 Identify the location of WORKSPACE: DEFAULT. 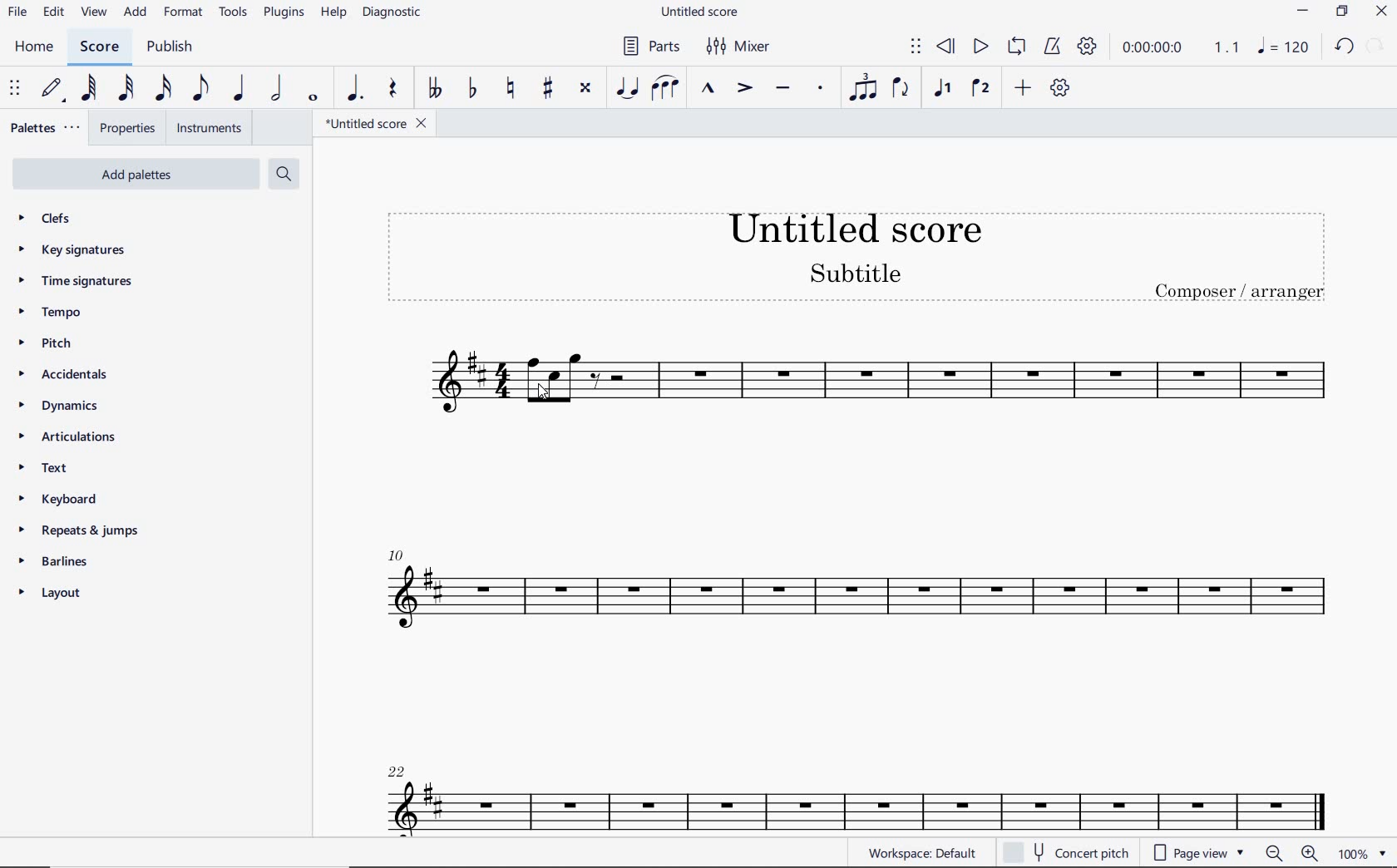
(926, 852).